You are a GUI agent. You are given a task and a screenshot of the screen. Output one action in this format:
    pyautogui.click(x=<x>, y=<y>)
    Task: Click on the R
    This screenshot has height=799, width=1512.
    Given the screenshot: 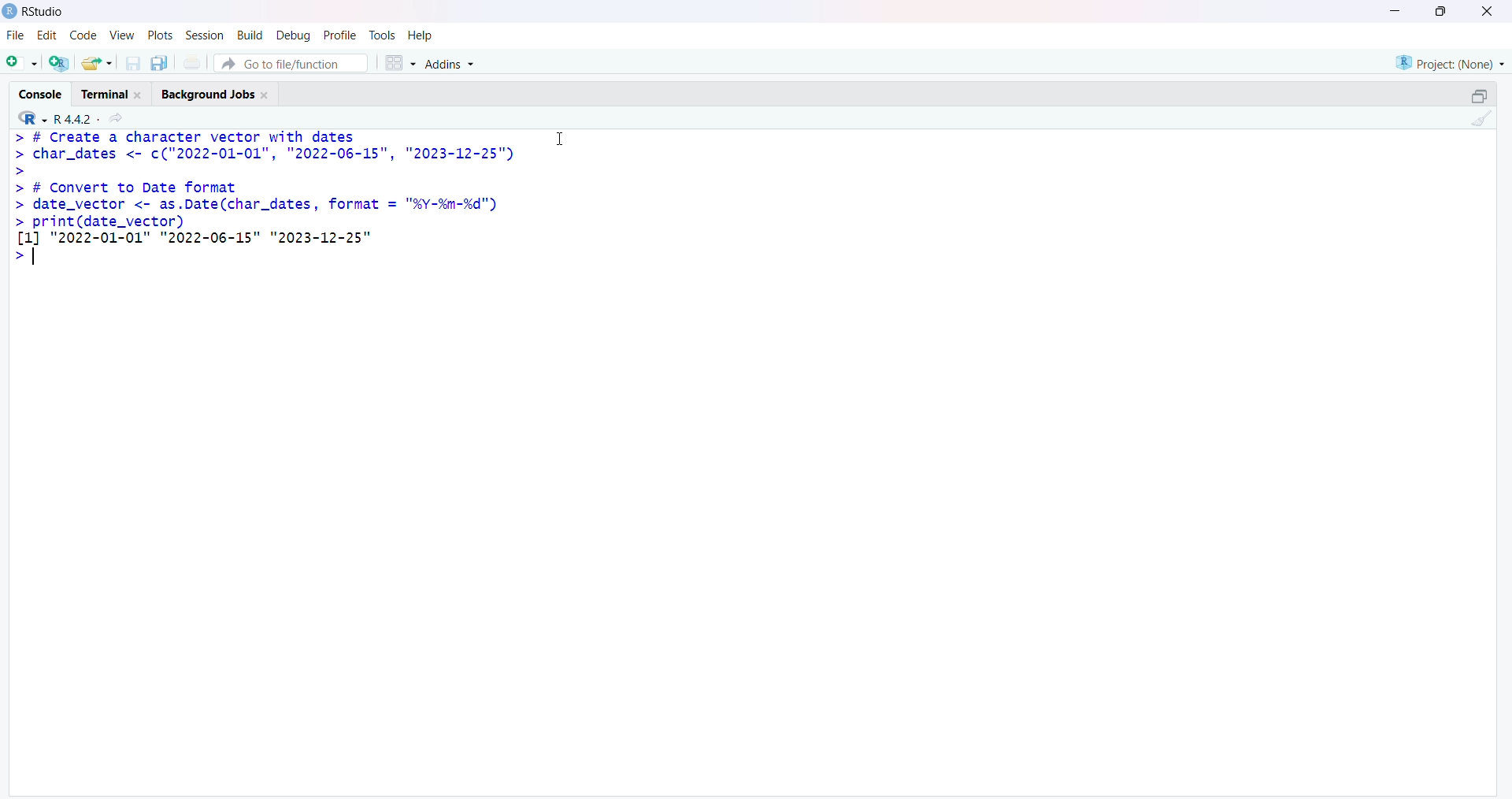 What is the action you would take?
    pyautogui.click(x=27, y=117)
    